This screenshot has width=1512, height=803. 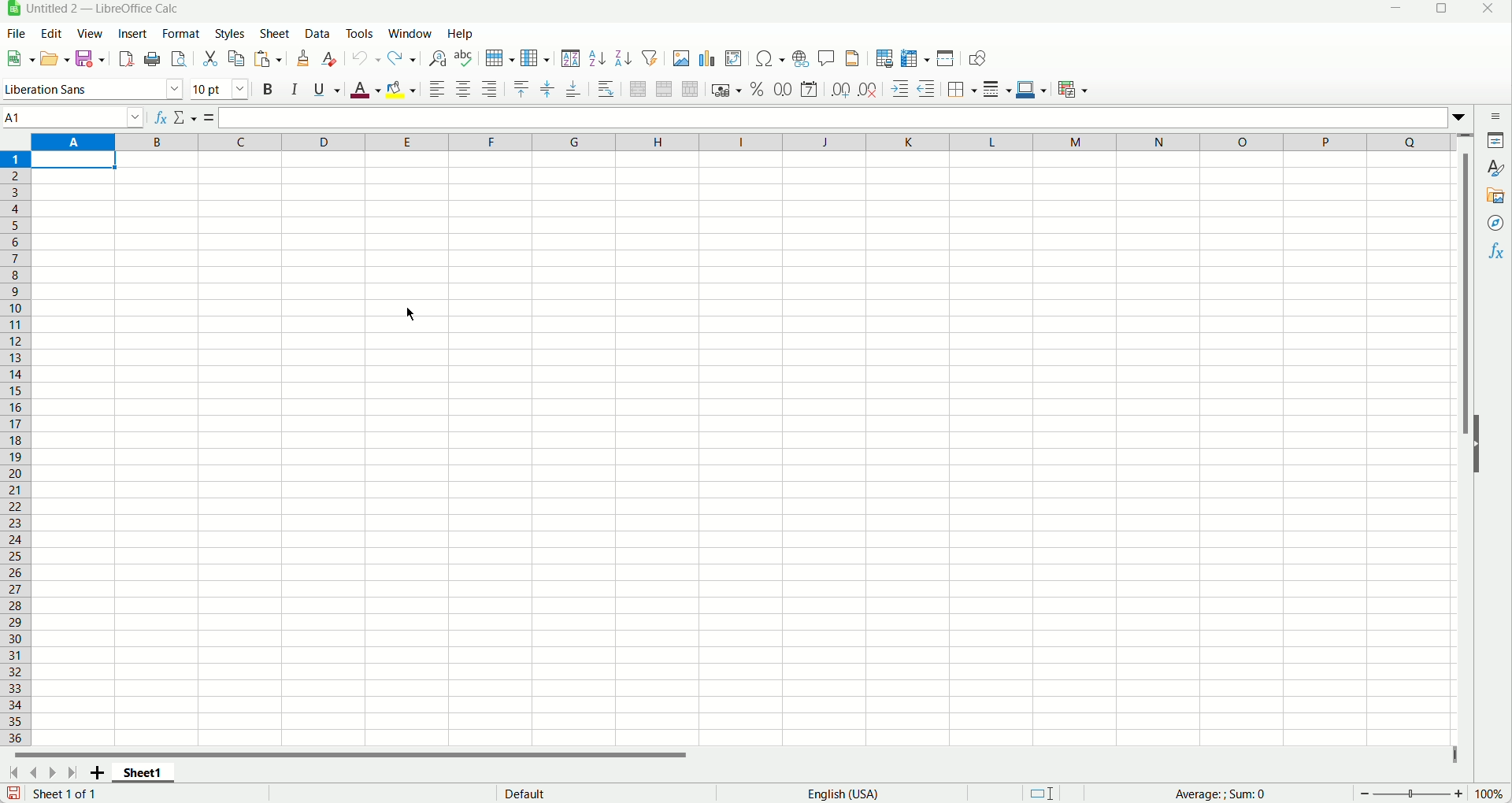 I want to click on Format as date, so click(x=809, y=88).